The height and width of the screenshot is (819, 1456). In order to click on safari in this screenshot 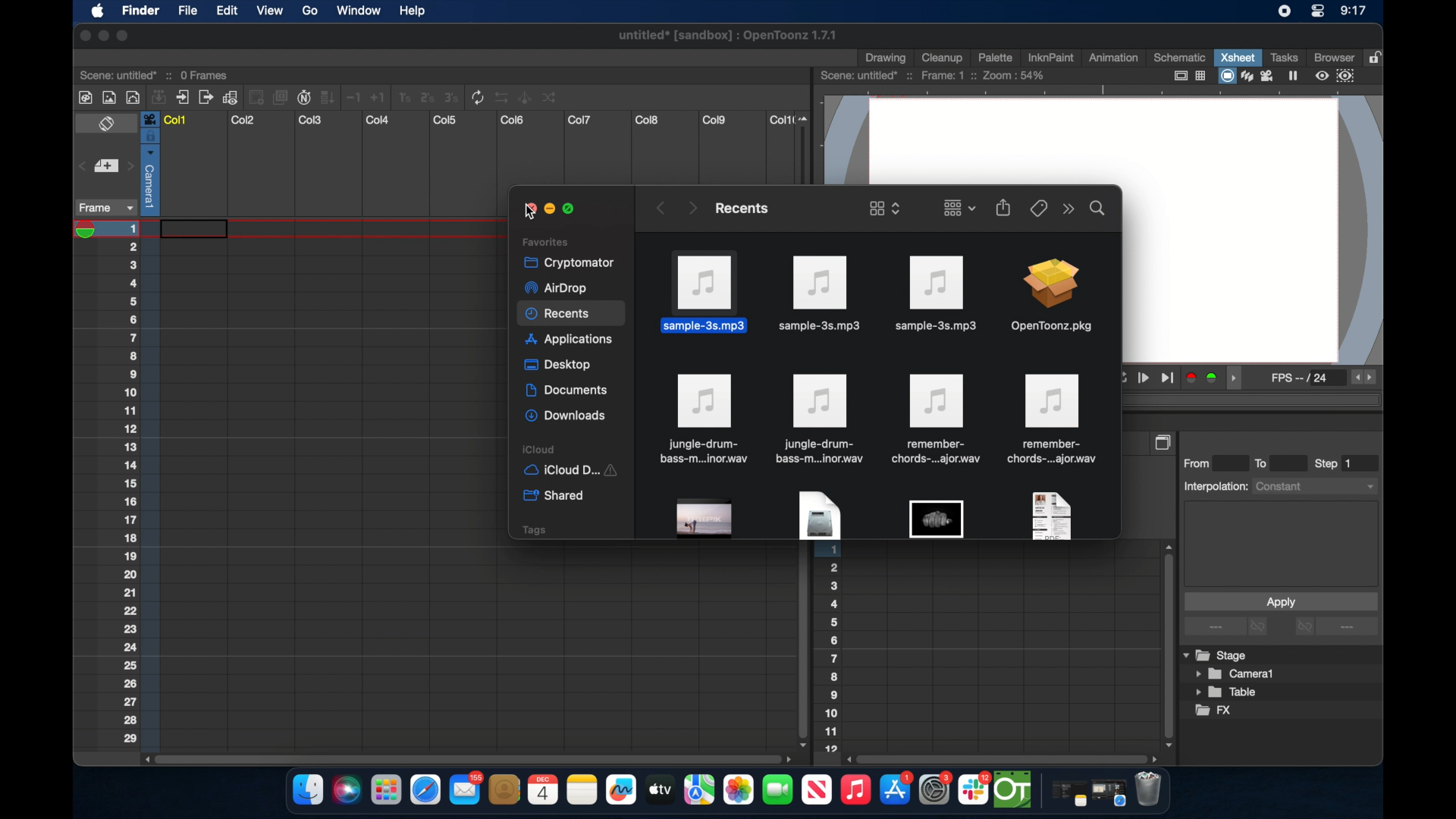, I will do `click(426, 790)`.